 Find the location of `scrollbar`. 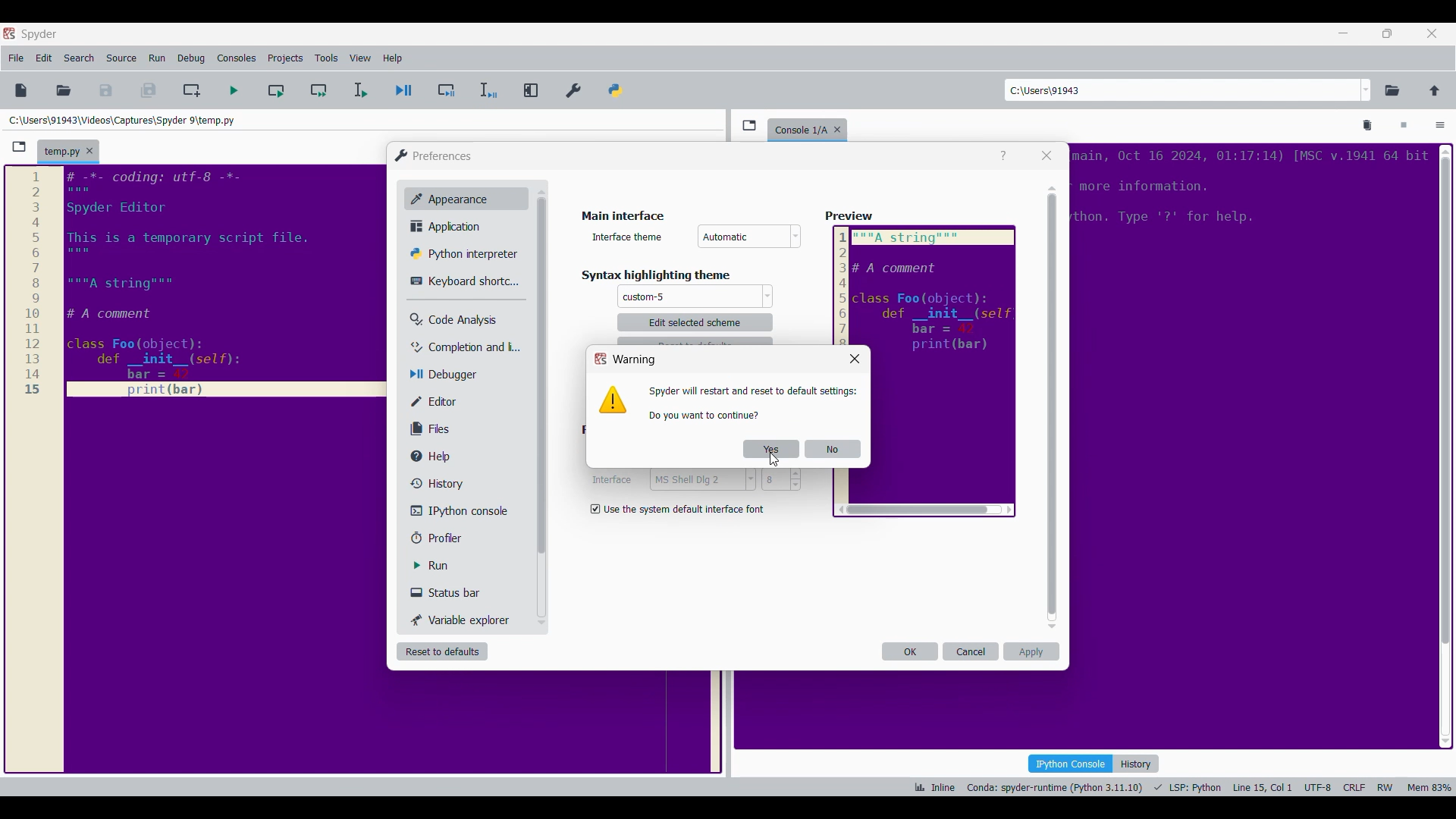

scrollbar is located at coordinates (1448, 445).